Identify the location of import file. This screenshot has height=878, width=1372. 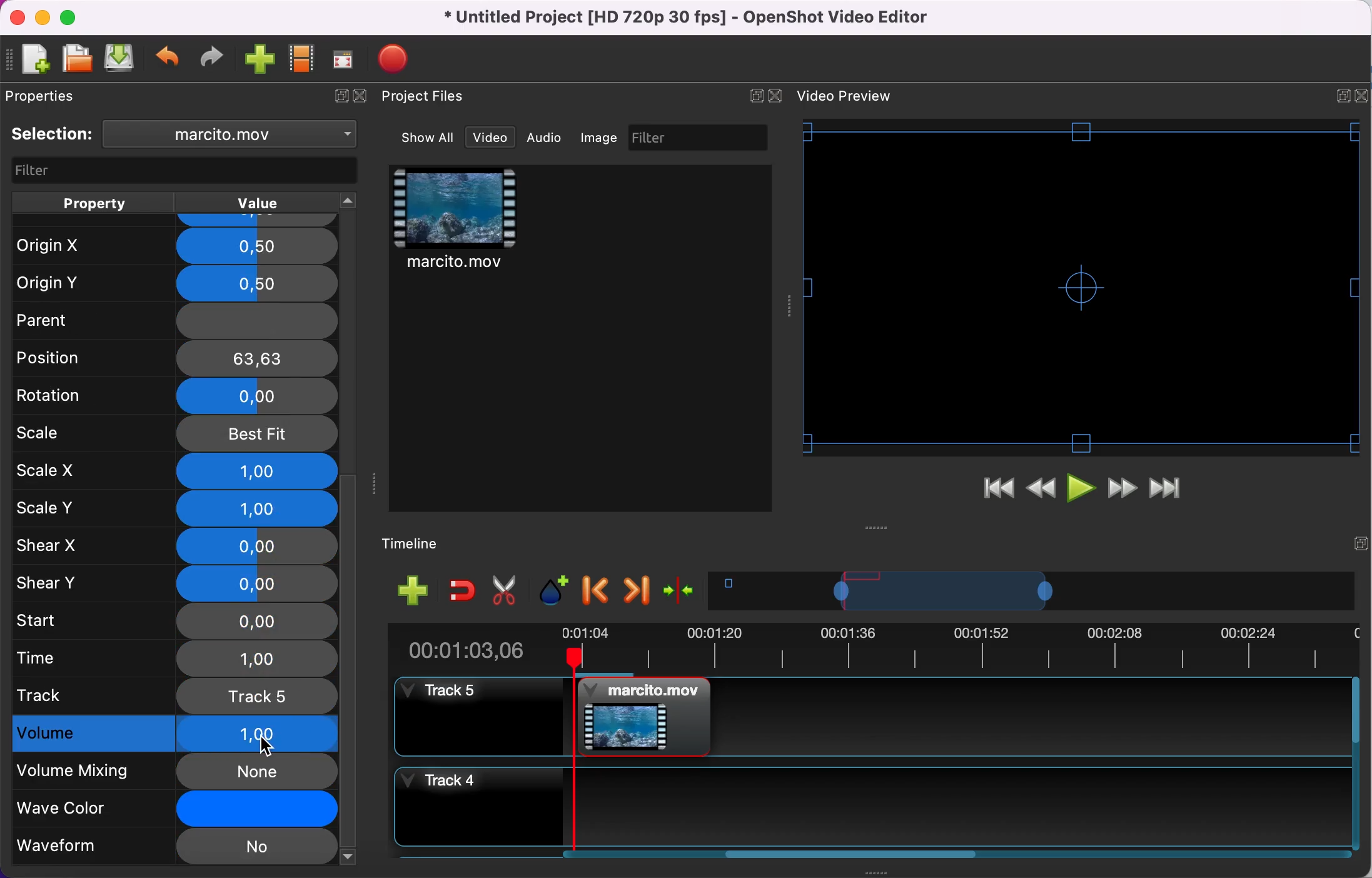
(261, 60).